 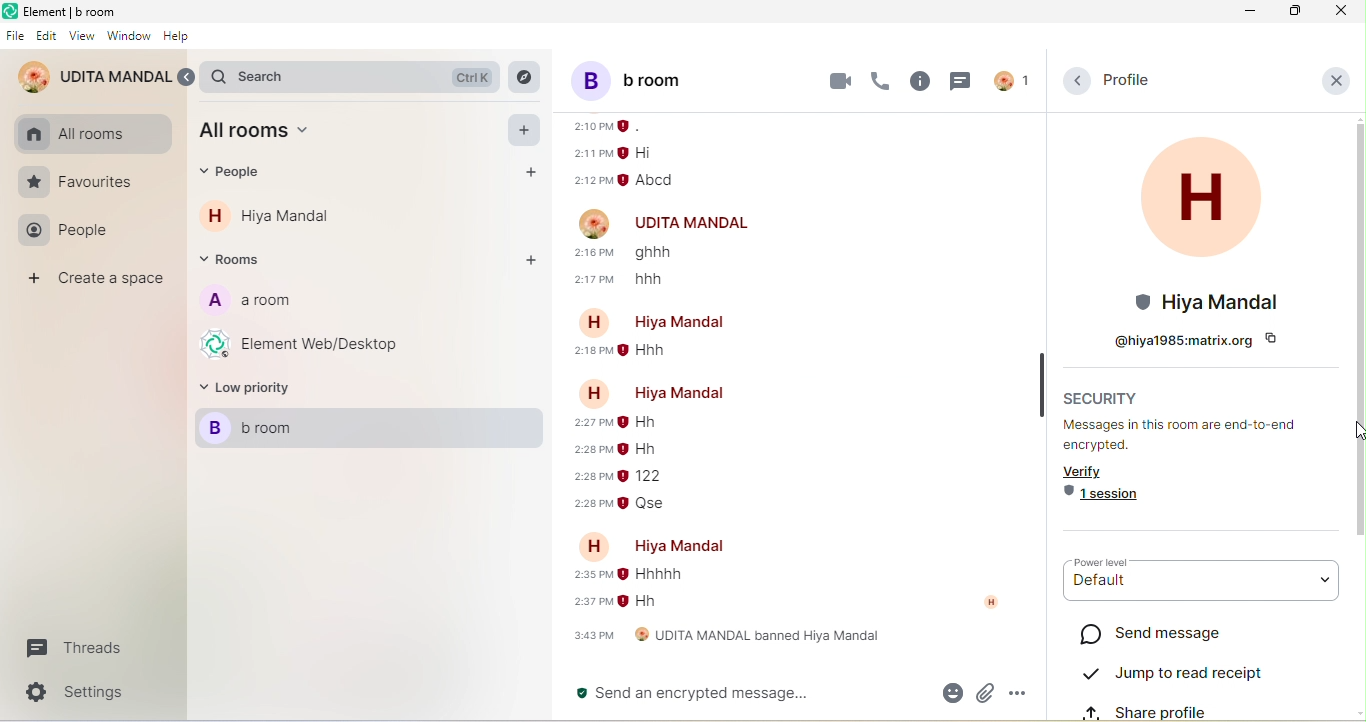 What do you see at coordinates (1198, 590) in the screenshot?
I see `default` at bounding box center [1198, 590].